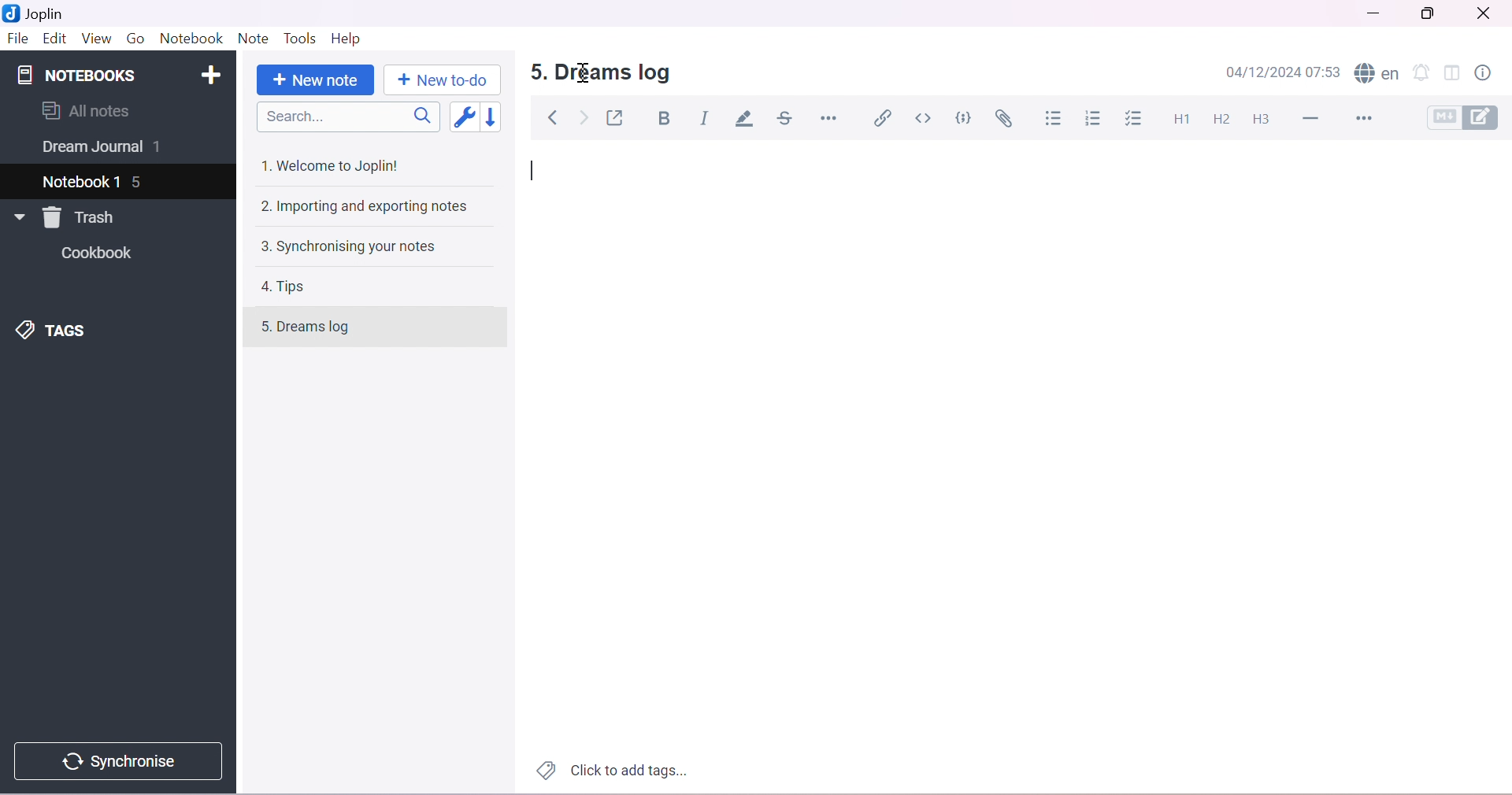  Describe the element at coordinates (584, 120) in the screenshot. I see `Forward` at that location.